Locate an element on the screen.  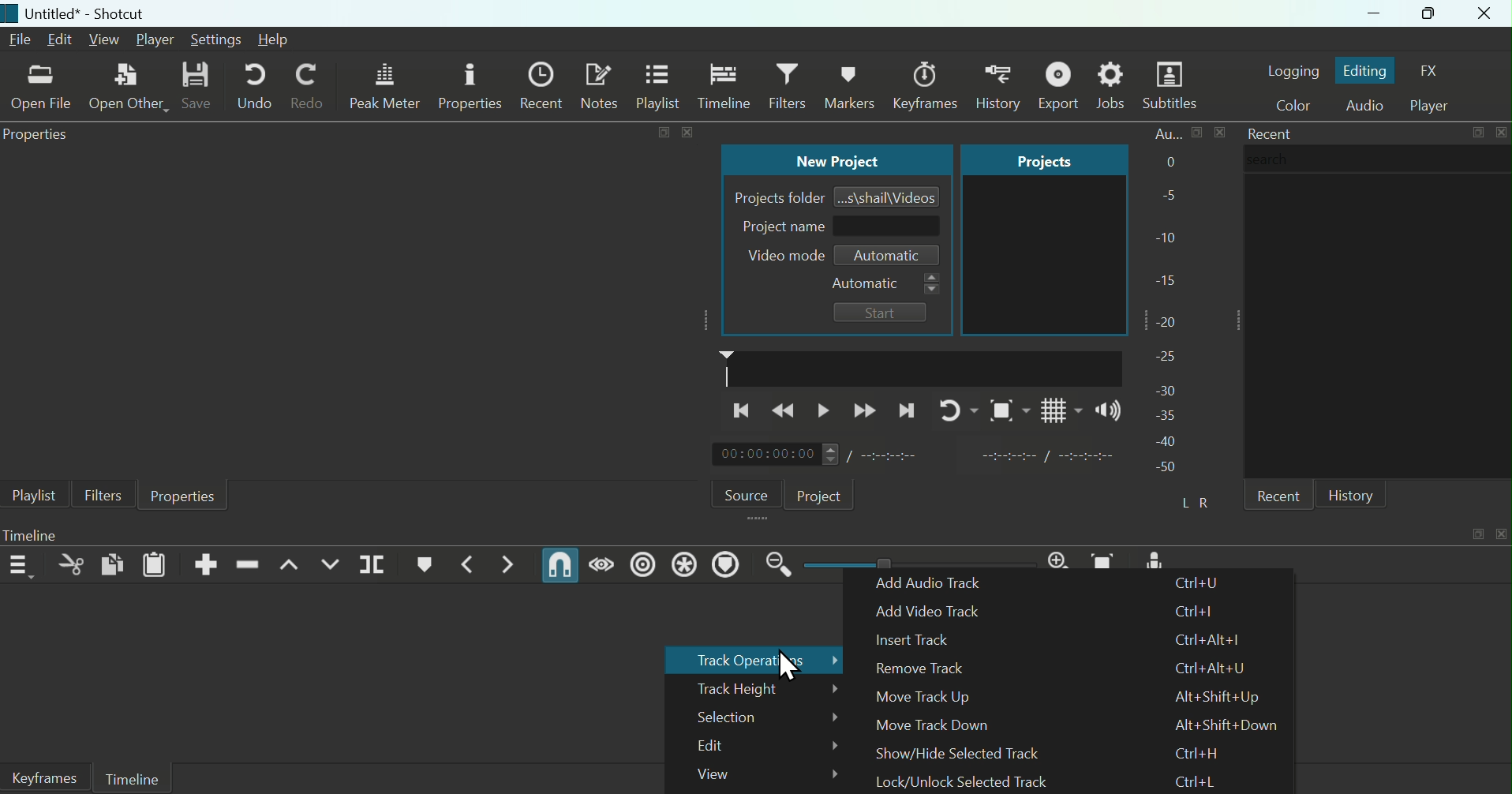
Jobs is located at coordinates (1114, 86).